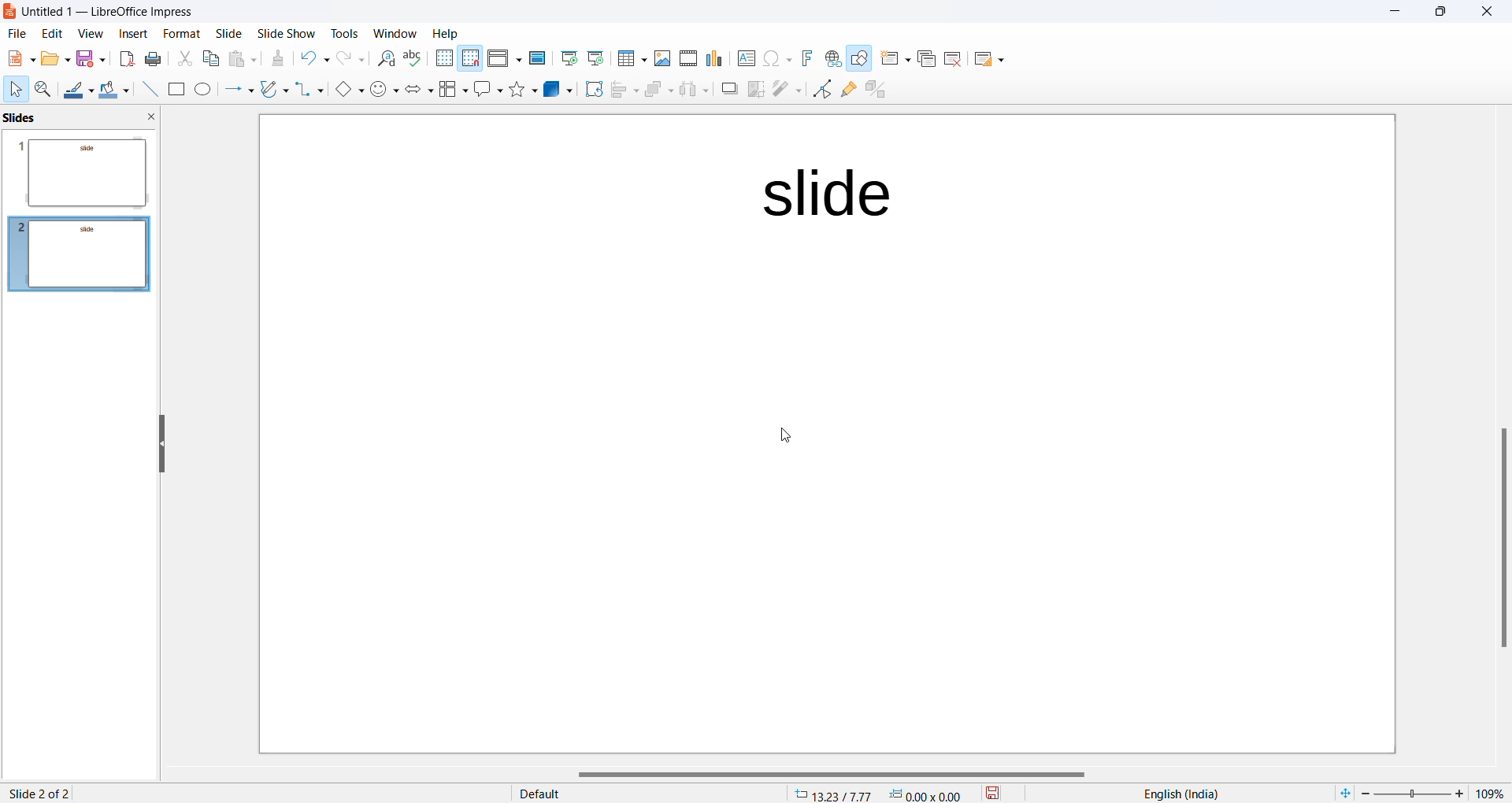 The height and width of the screenshot is (803, 1512). Describe the element at coordinates (1501, 540) in the screenshot. I see `scroll bar` at that location.